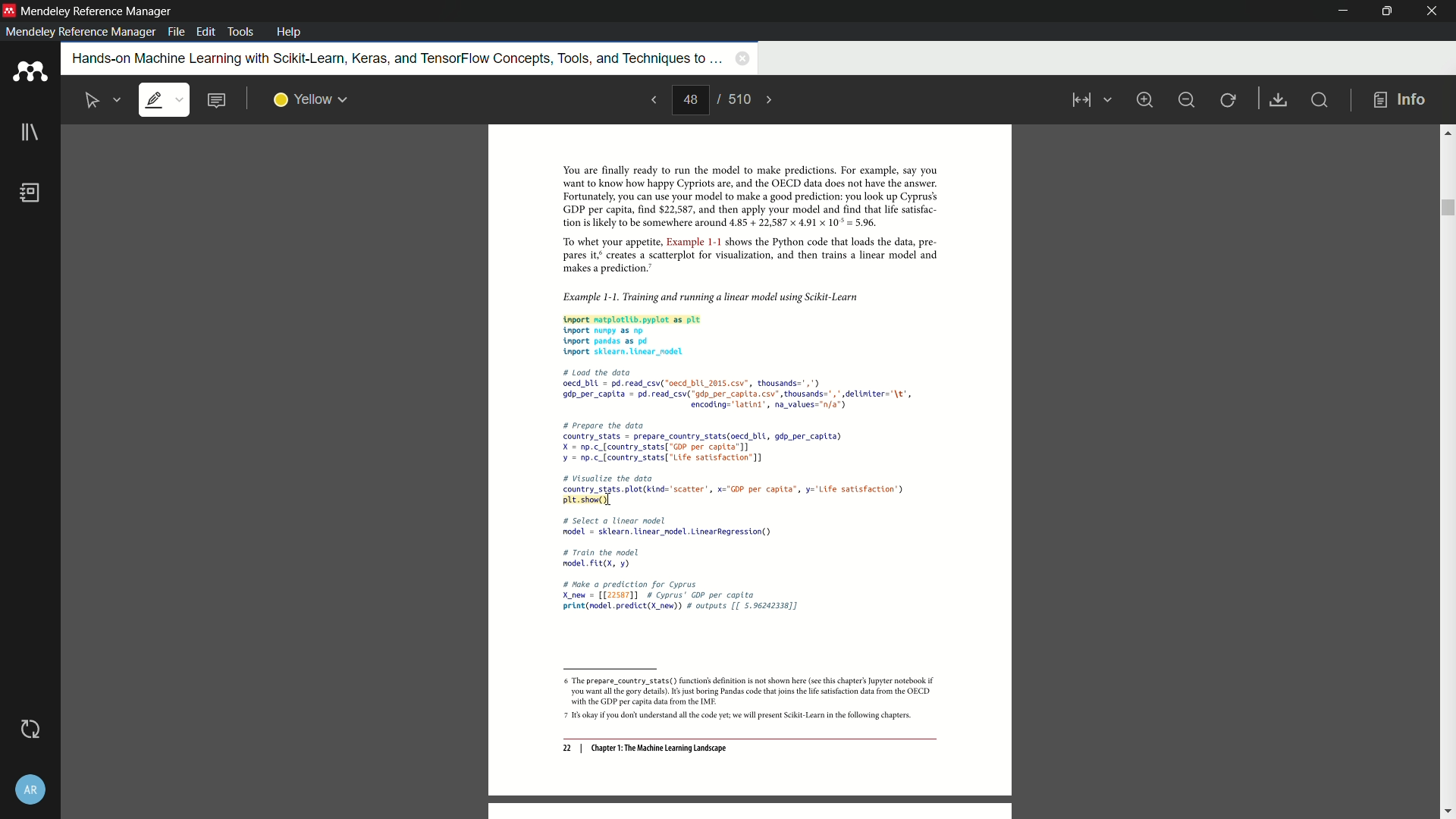  I want to click on rotate, so click(1229, 101).